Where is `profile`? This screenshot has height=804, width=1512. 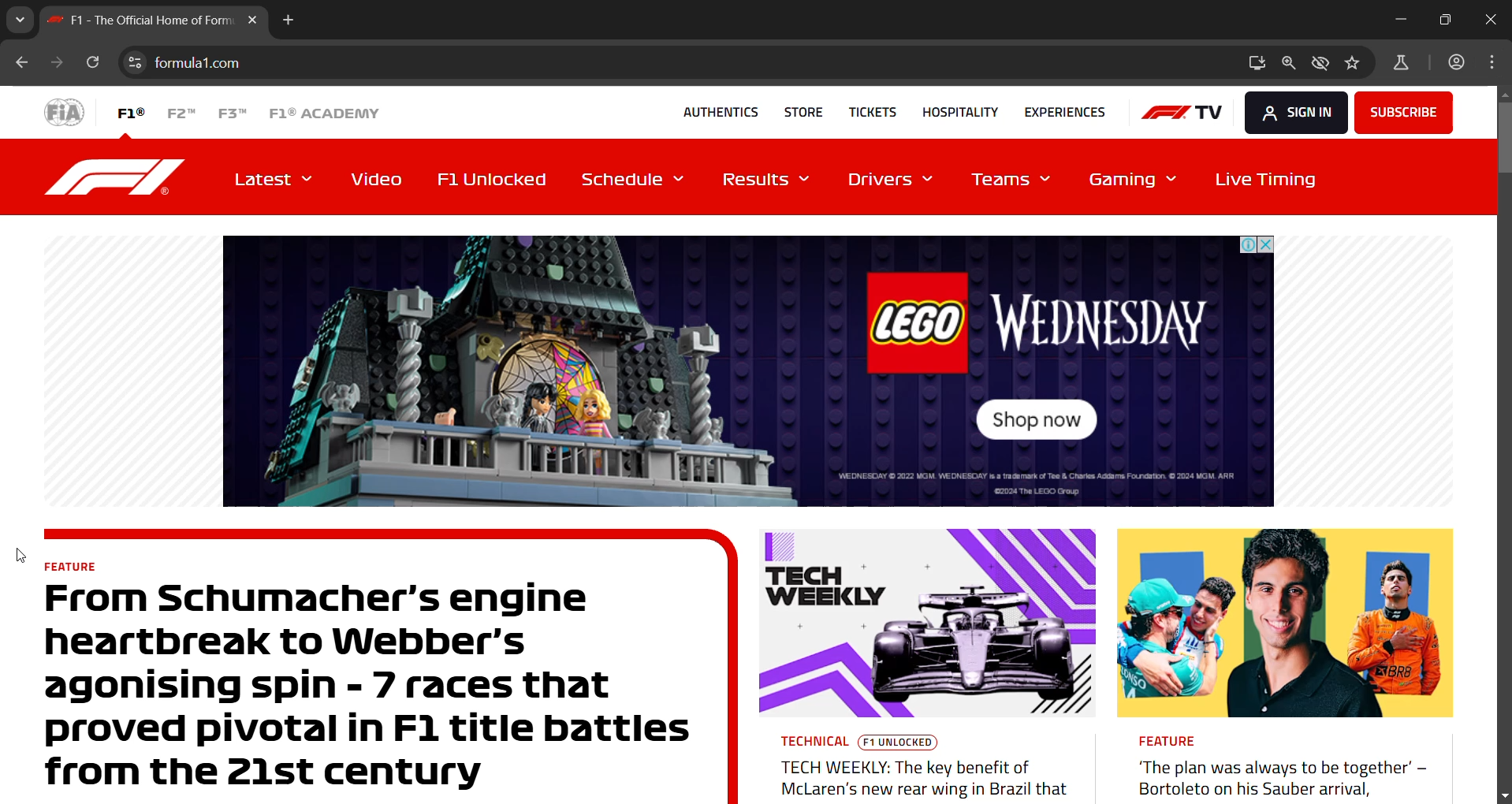
profile is located at coordinates (1460, 63).